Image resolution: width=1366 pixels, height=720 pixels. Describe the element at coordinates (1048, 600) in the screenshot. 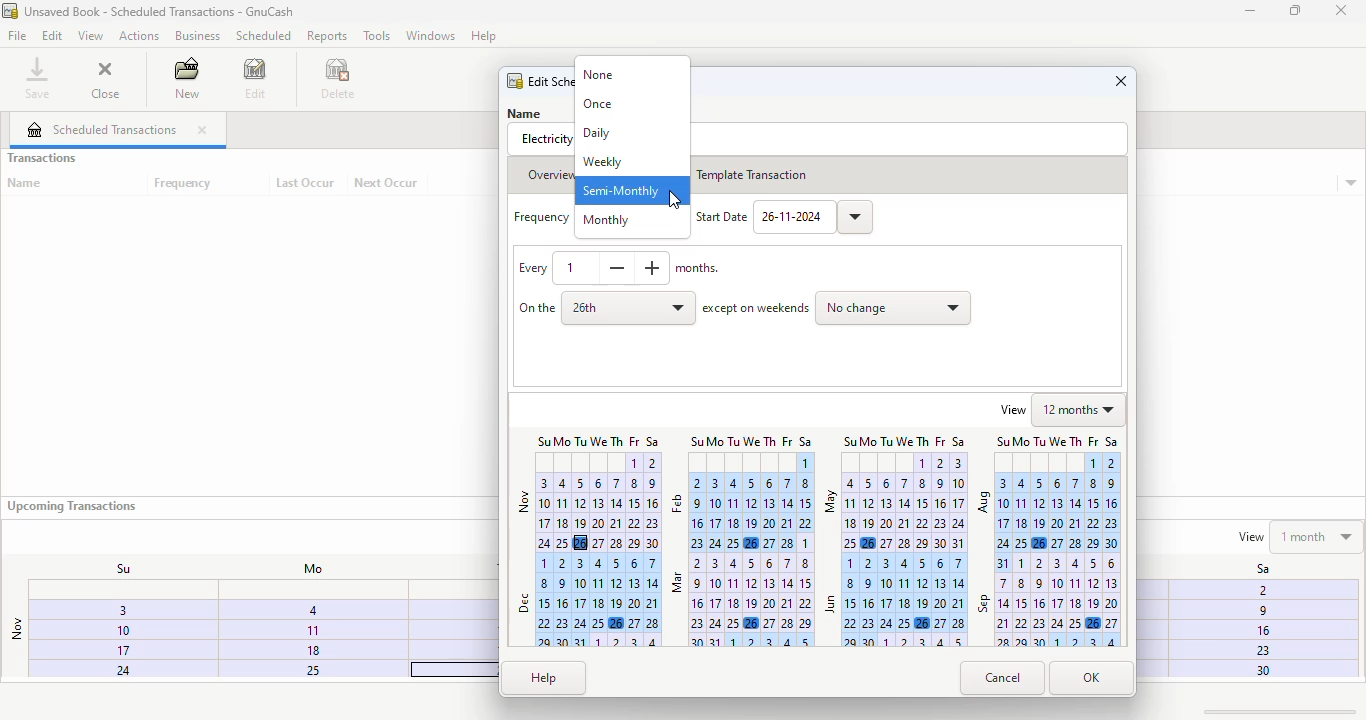

I see `September calendar` at that location.